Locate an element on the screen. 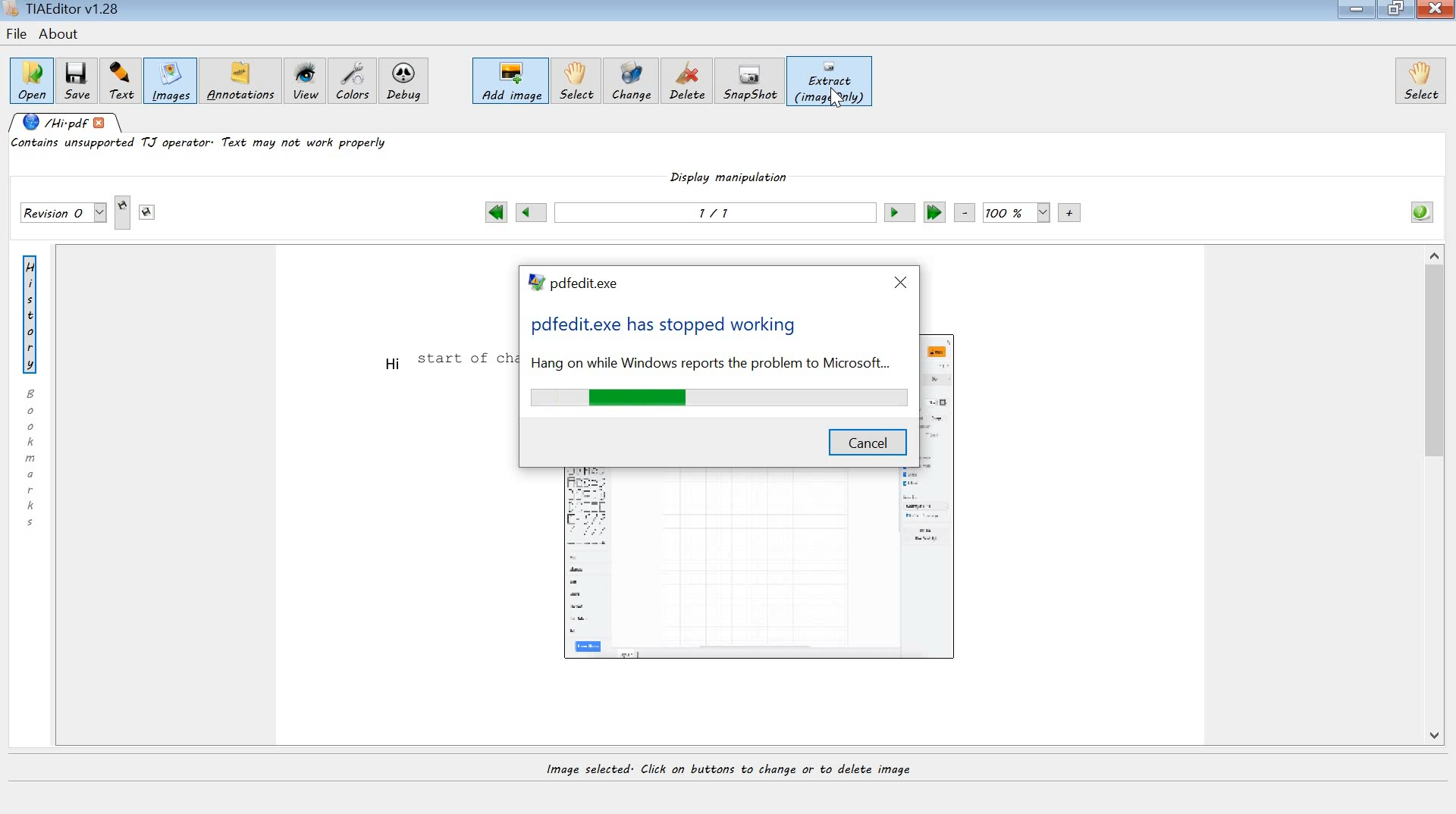 Image resolution: width=1456 pixels, height=814 pixels. text is located at coordinates (118, 79).